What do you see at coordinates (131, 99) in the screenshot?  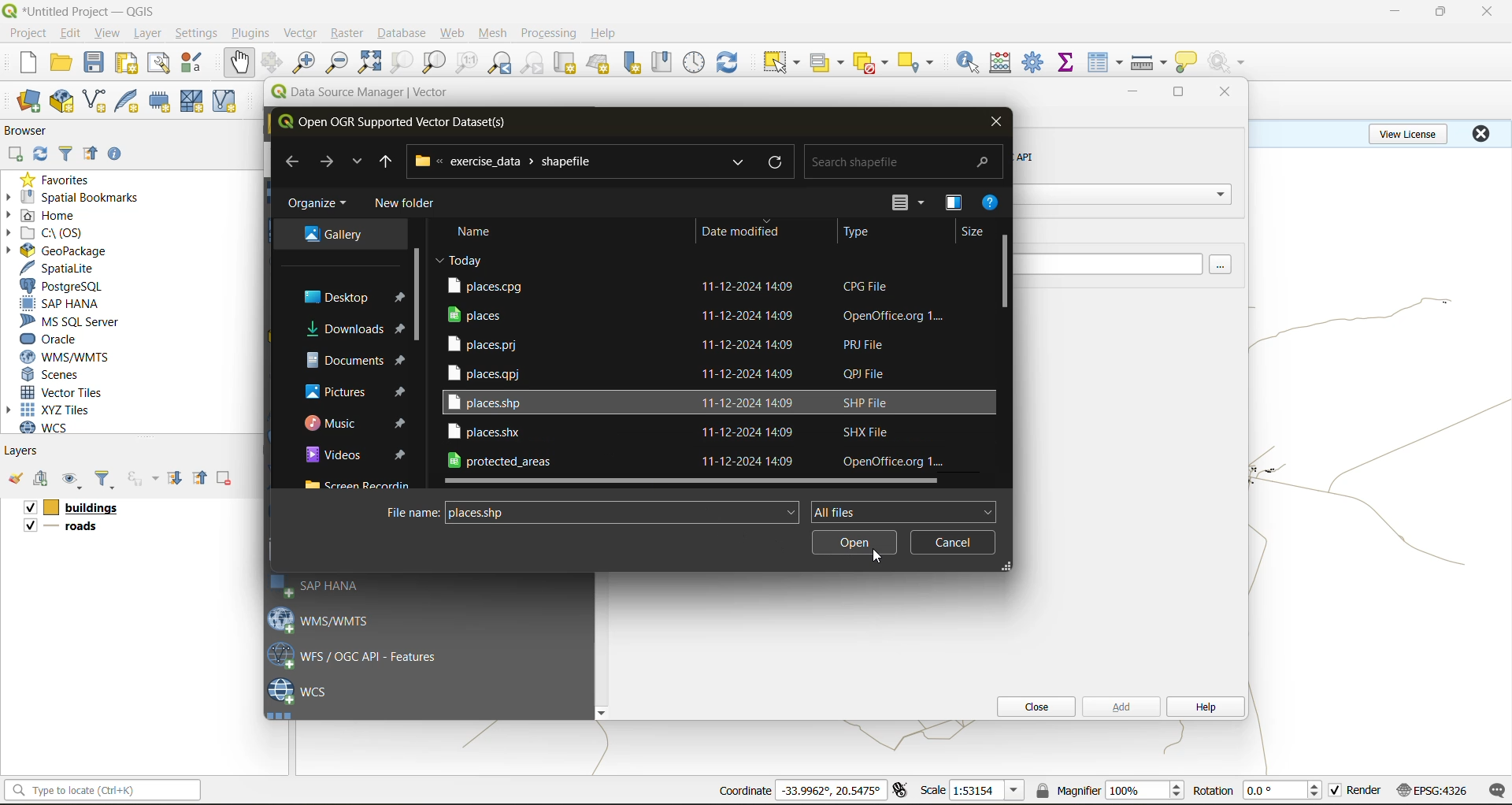 I see `new spatialite layer` at bounding box center [131, 99].